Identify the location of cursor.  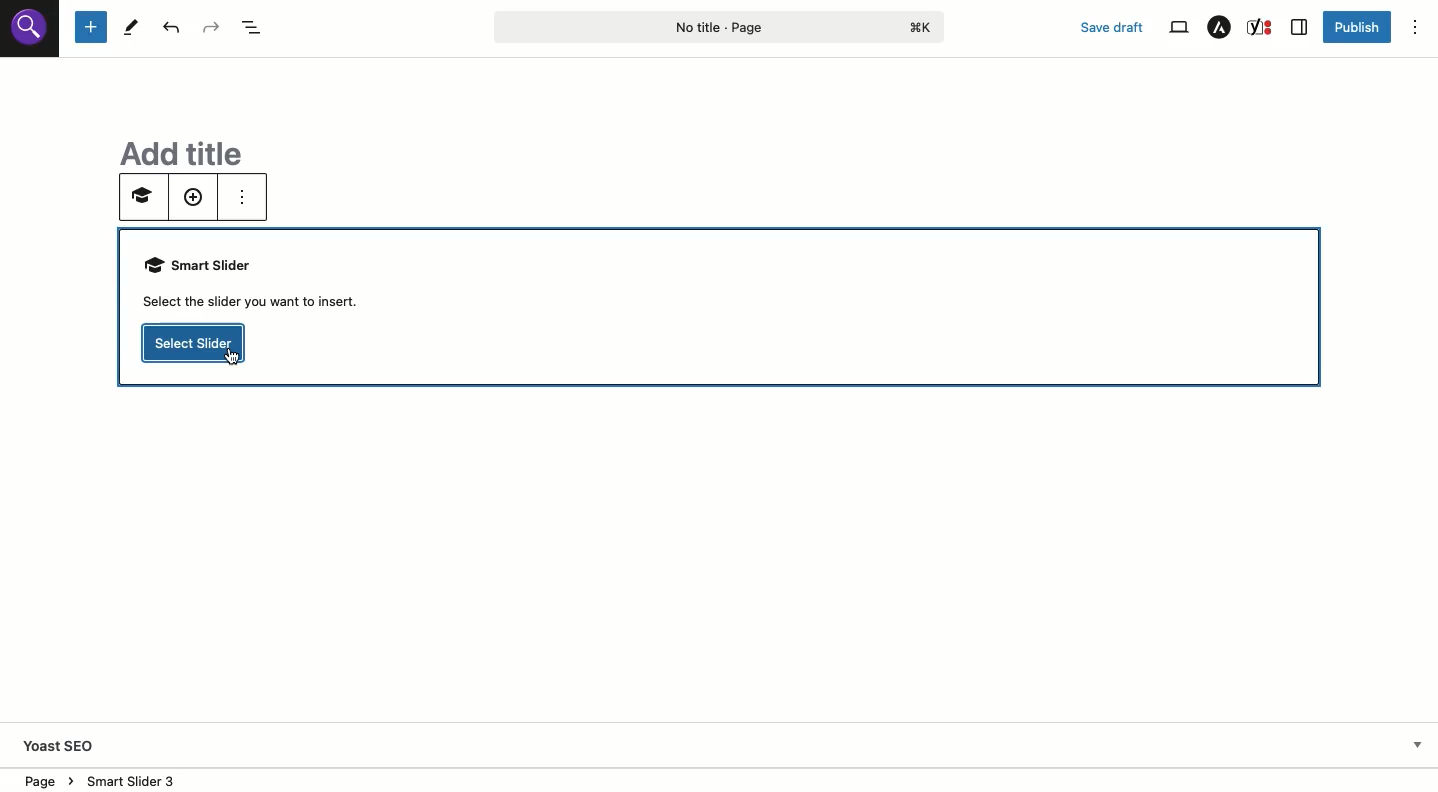
(231, 363).